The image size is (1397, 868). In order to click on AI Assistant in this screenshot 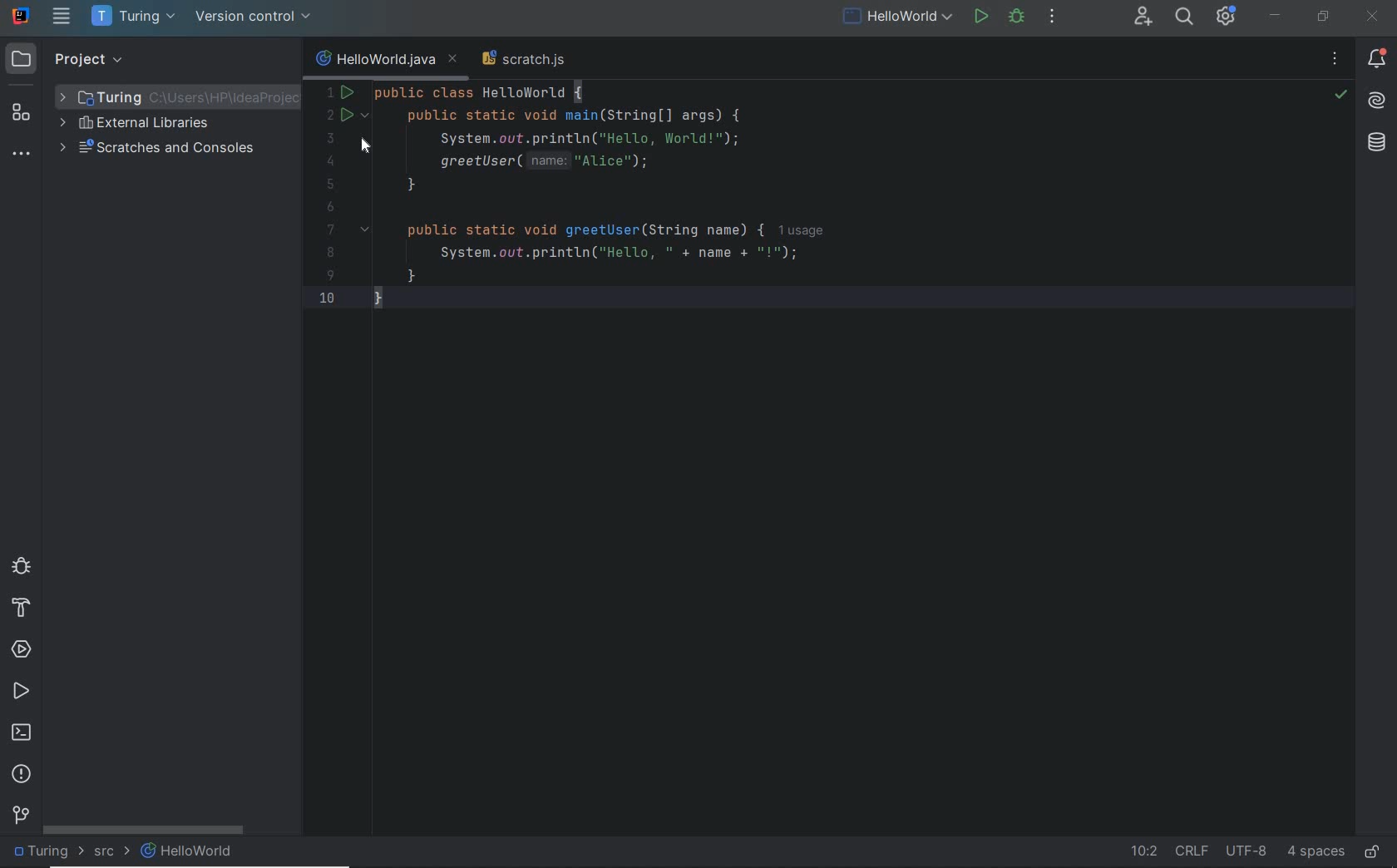, I will do `click(1377, 101)`.